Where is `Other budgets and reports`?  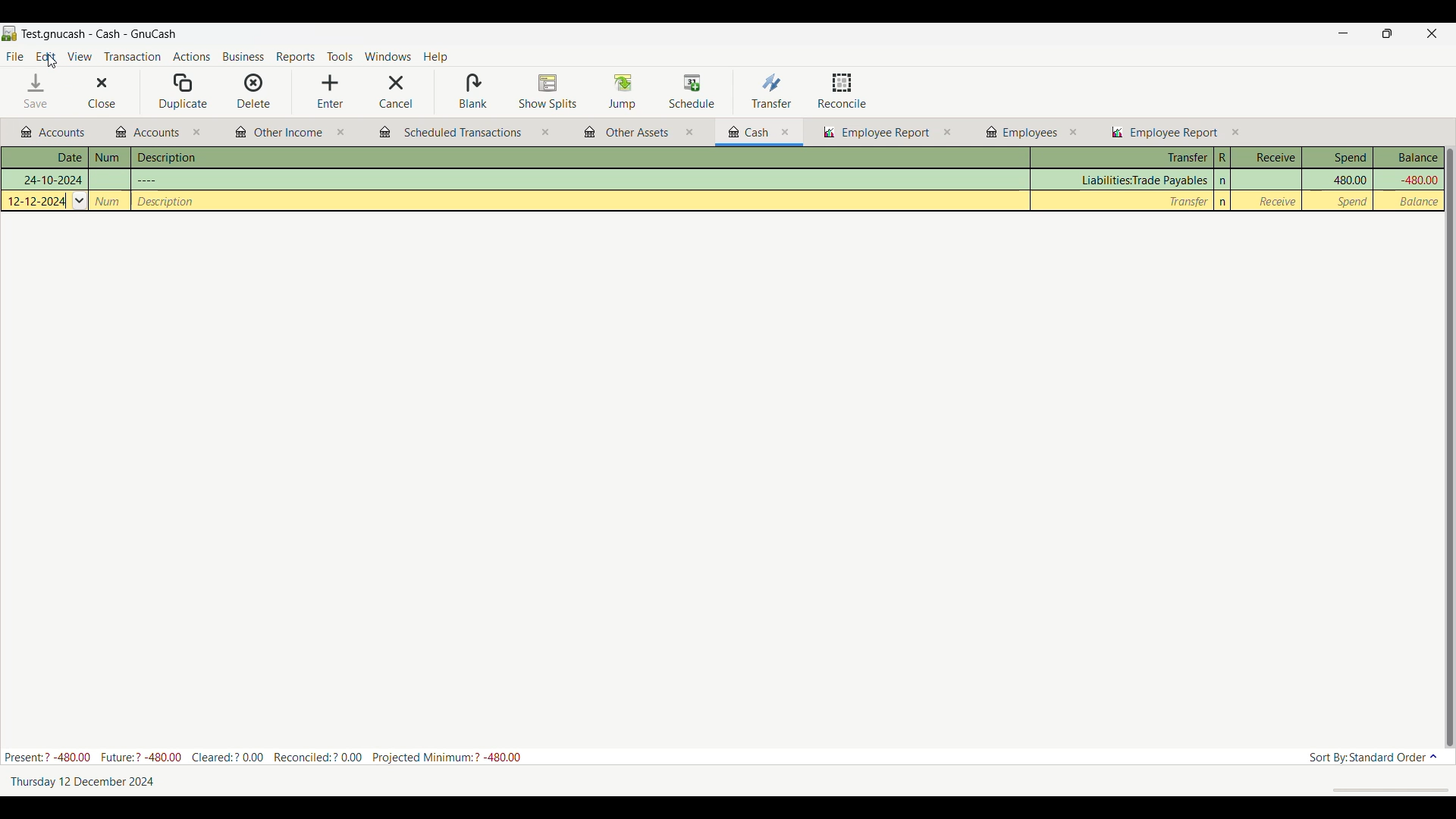
Other budgets and reports is located at coordinates (450, 134).